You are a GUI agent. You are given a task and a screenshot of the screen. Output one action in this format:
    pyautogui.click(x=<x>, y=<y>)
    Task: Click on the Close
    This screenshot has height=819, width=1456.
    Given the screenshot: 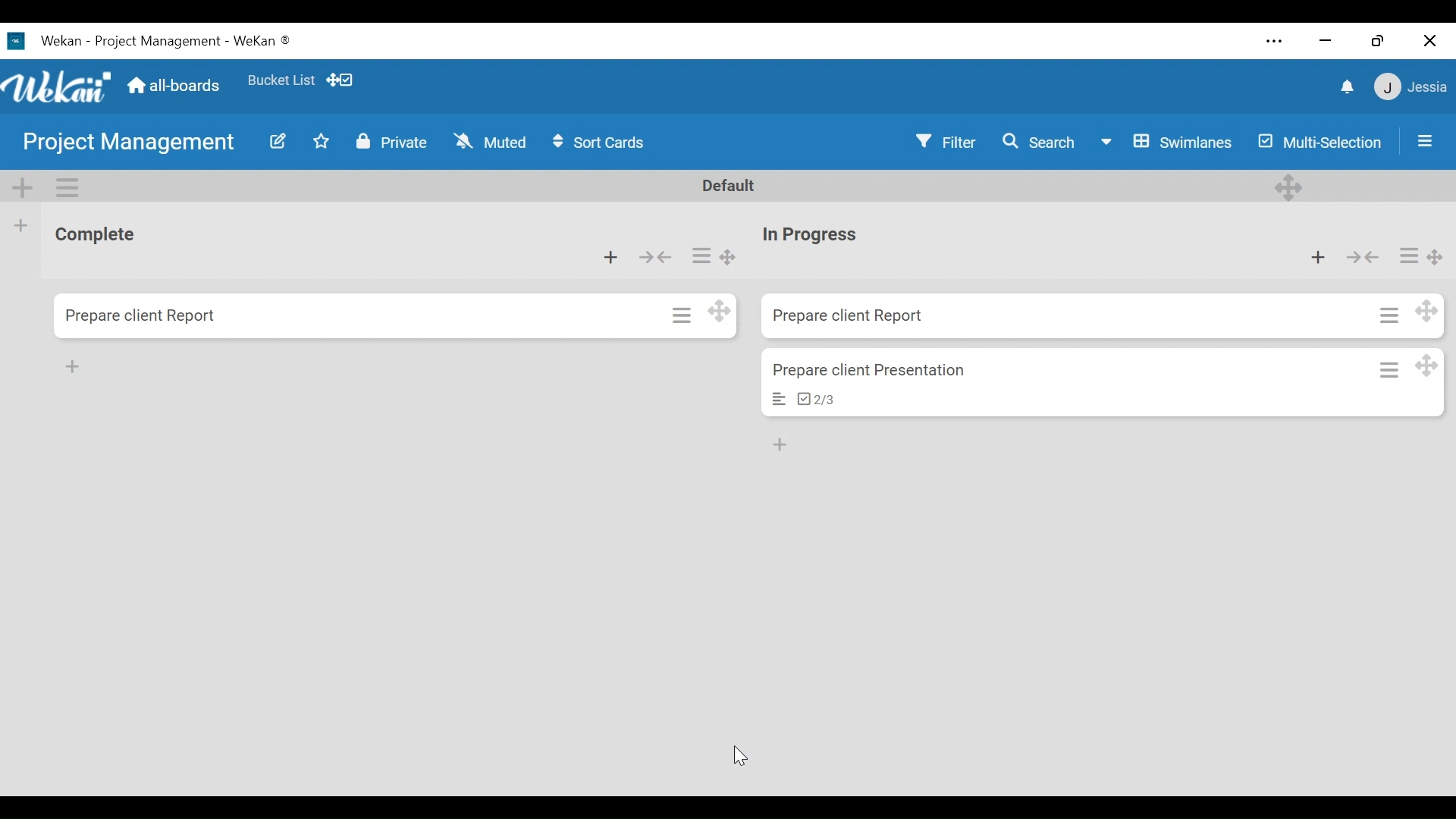 What is the action you would take?
    pyautogui.click(x=1432, y=39)
    